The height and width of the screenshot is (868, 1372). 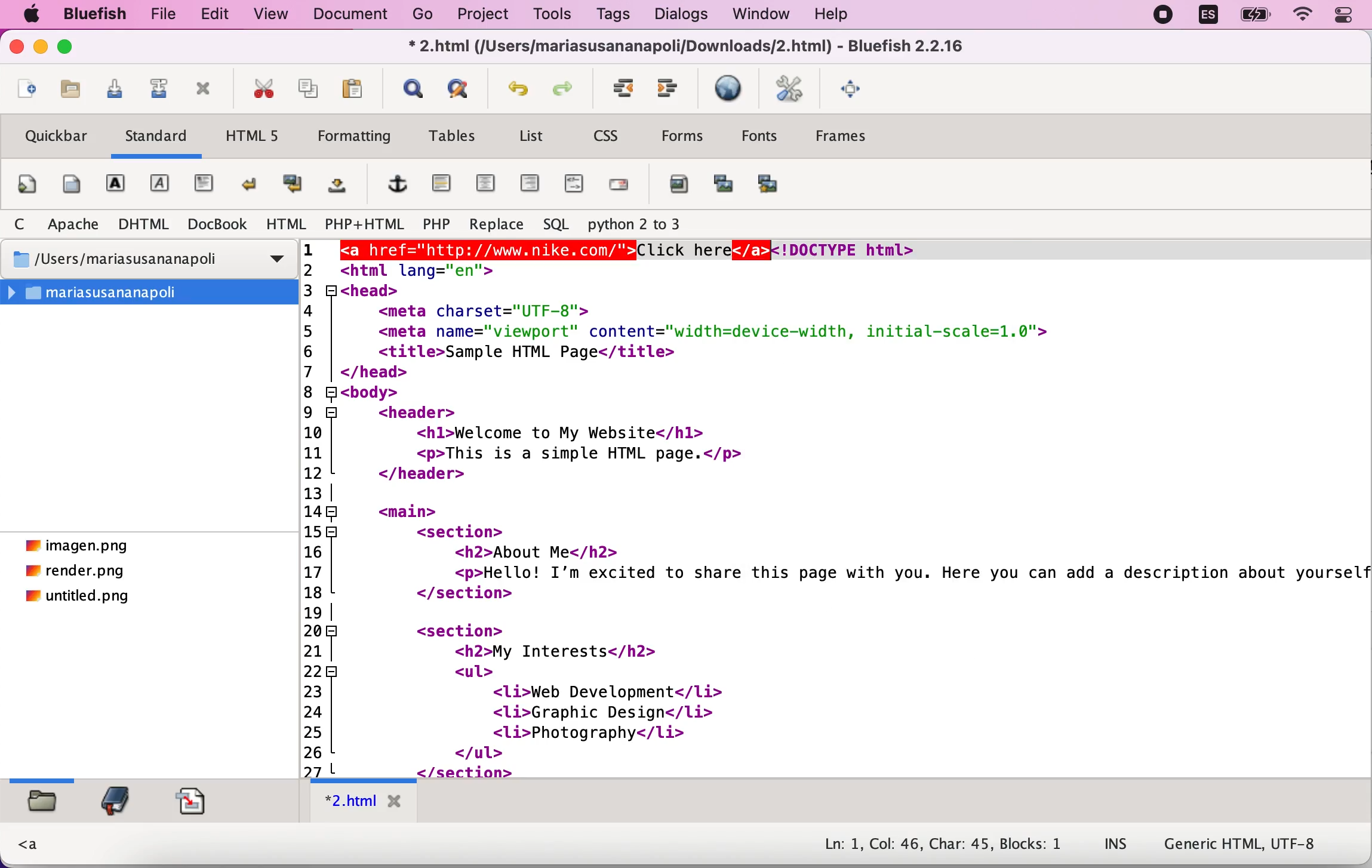 I want to click on add hyperlink, so click(x=398, y=187).